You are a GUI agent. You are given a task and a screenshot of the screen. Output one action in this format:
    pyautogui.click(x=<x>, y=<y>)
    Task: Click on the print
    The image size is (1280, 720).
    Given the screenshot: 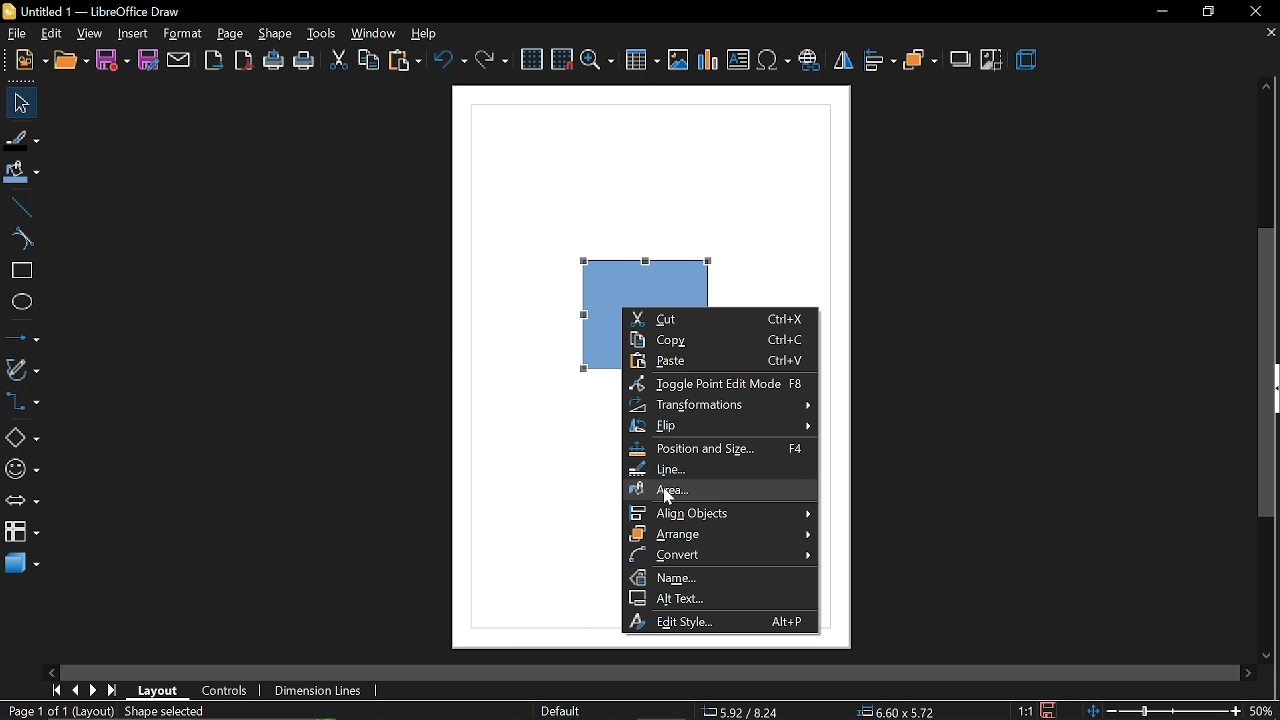 What is the action you would take?
    pyautogui.click(x=305, y=62)
    